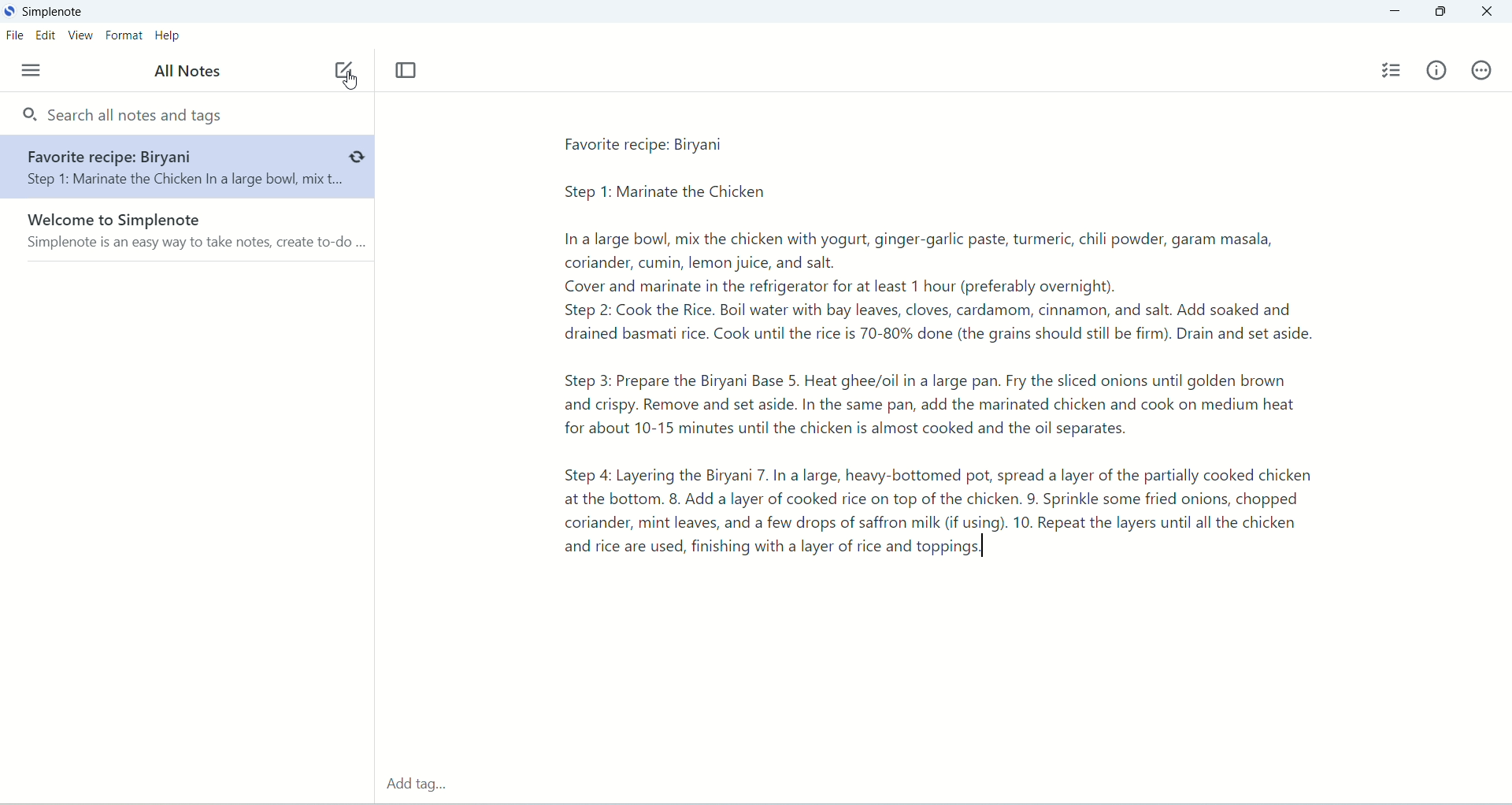 Image resolution: width=1512 pixels, height=805 pixels. Describe the element at coordinates (944, 351) in the screenshot. I see `favorite recipe` at that location.